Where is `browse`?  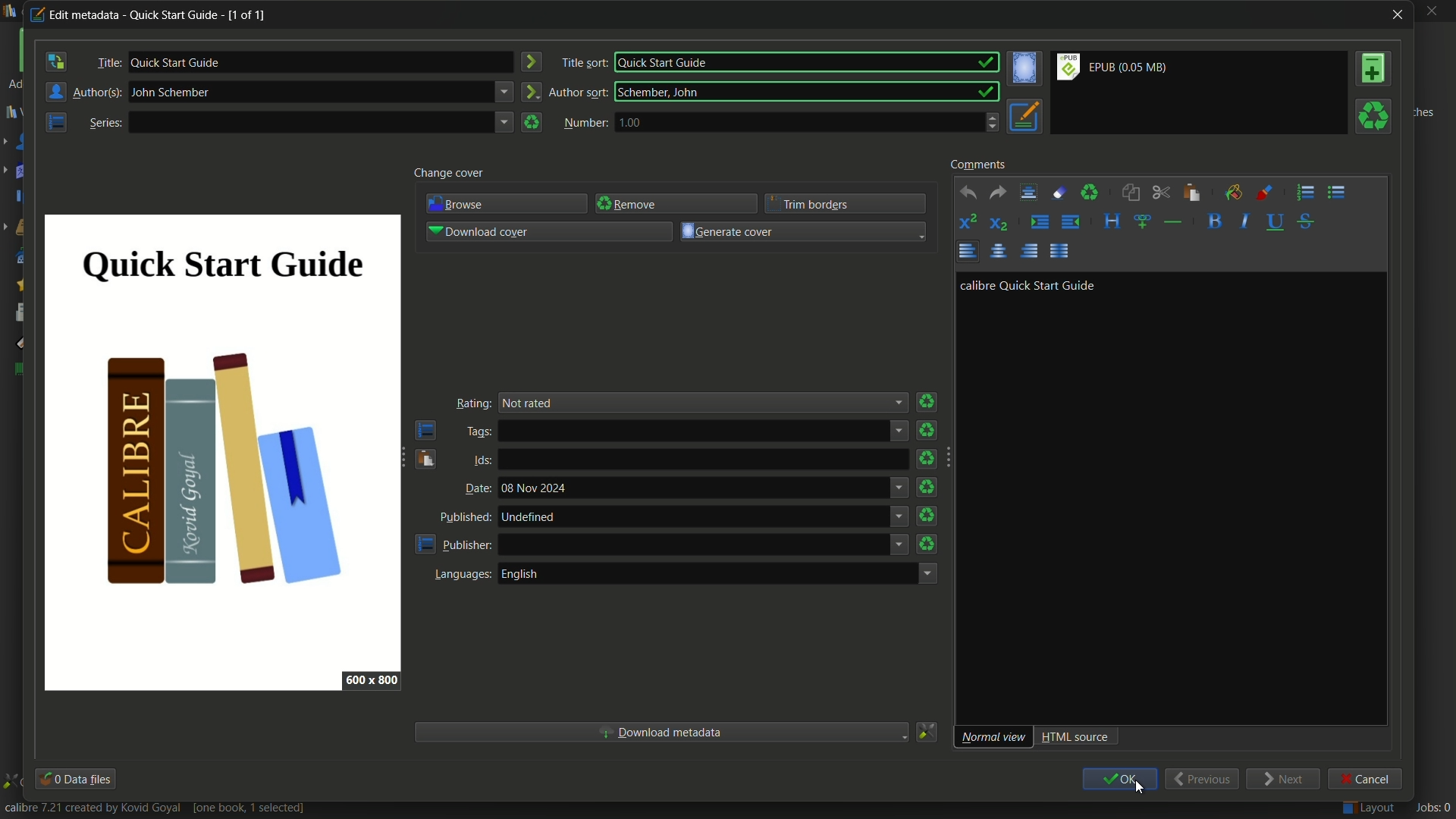 browse is located at coordinates (462, 202).